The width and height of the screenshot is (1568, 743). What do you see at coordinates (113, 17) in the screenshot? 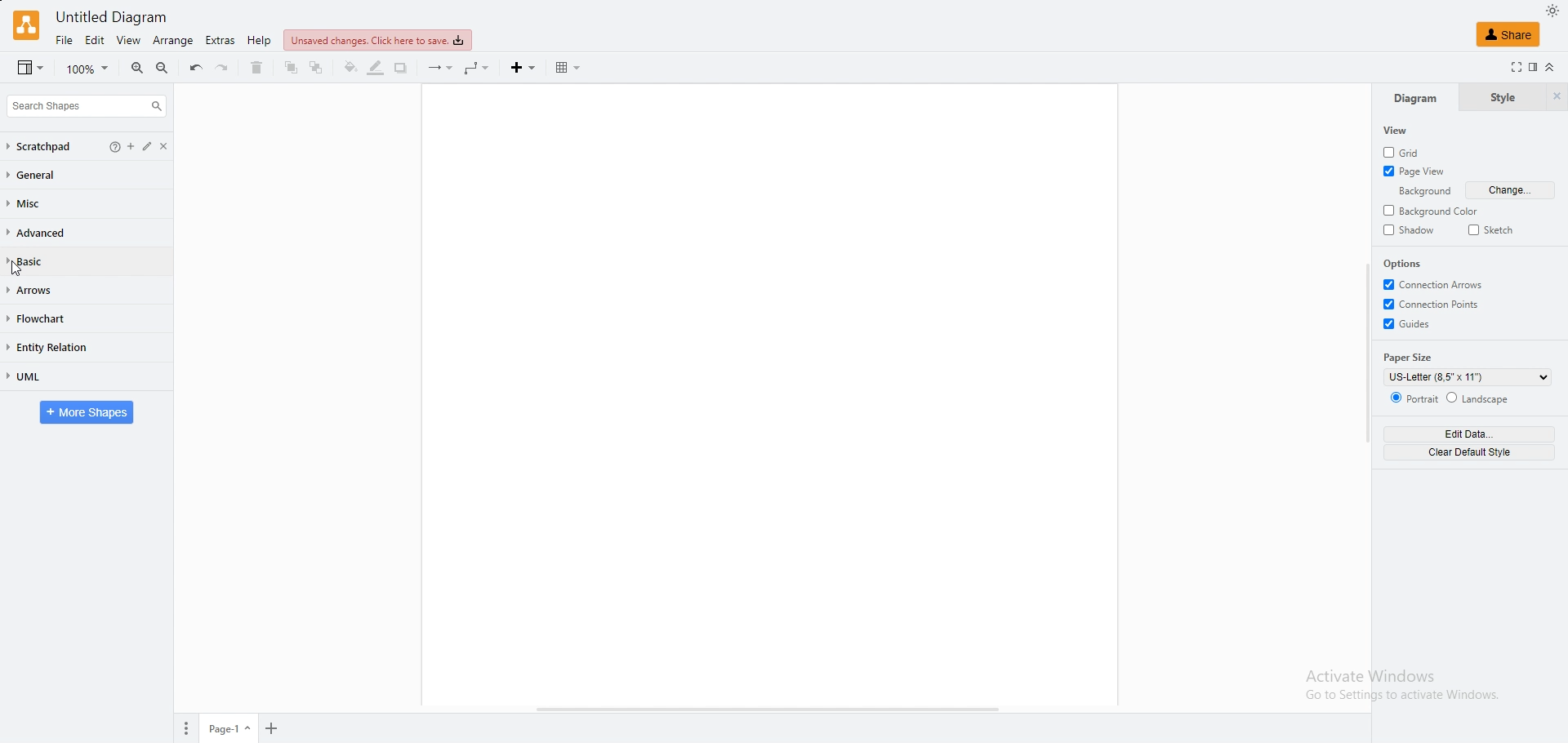
I see `untitled diagram` at bounding box center [113, 17].